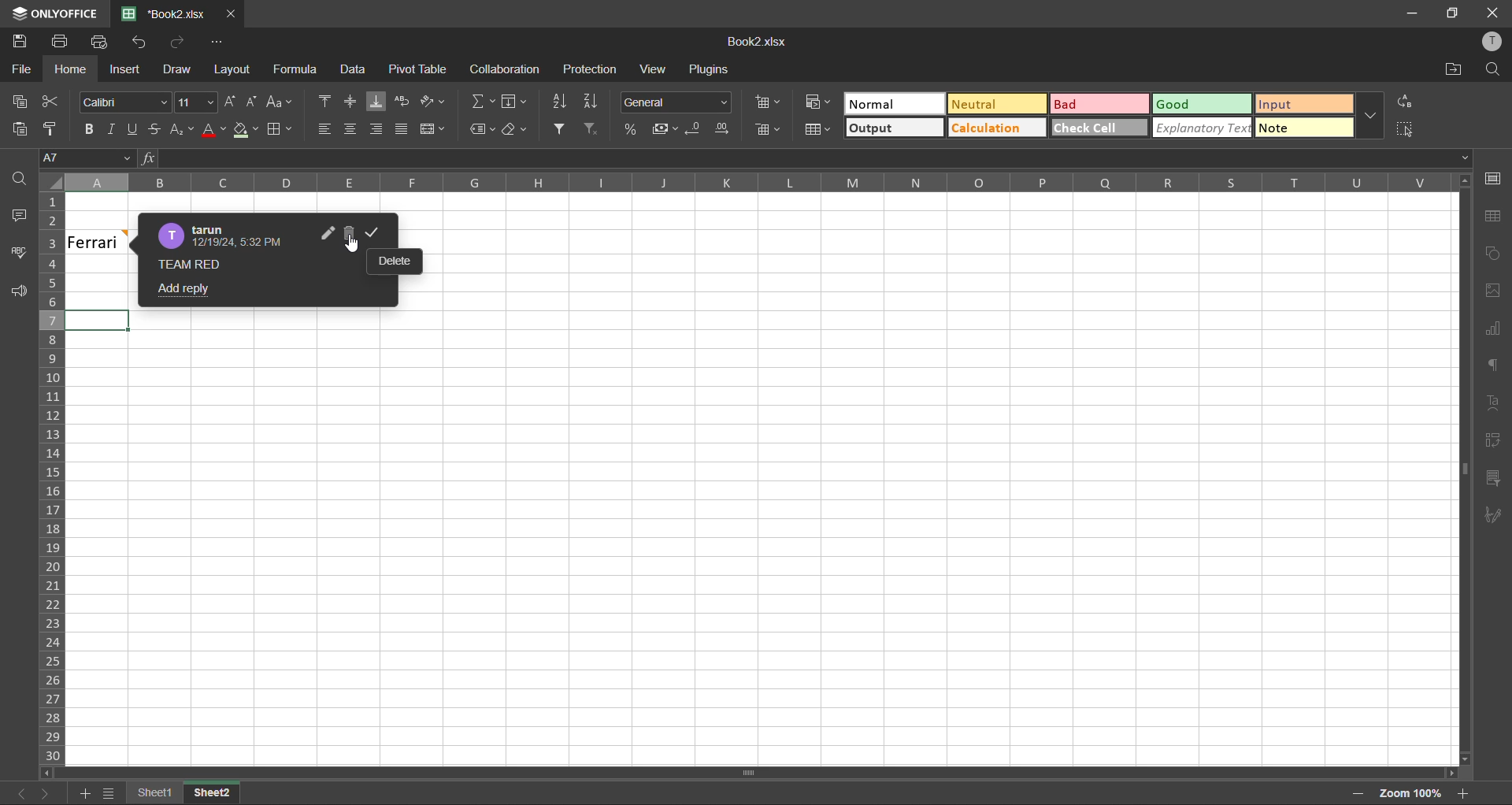 Image resolution: width=1512 pixels, height=805 pixels. I want to click on align right, so click(379, 129).